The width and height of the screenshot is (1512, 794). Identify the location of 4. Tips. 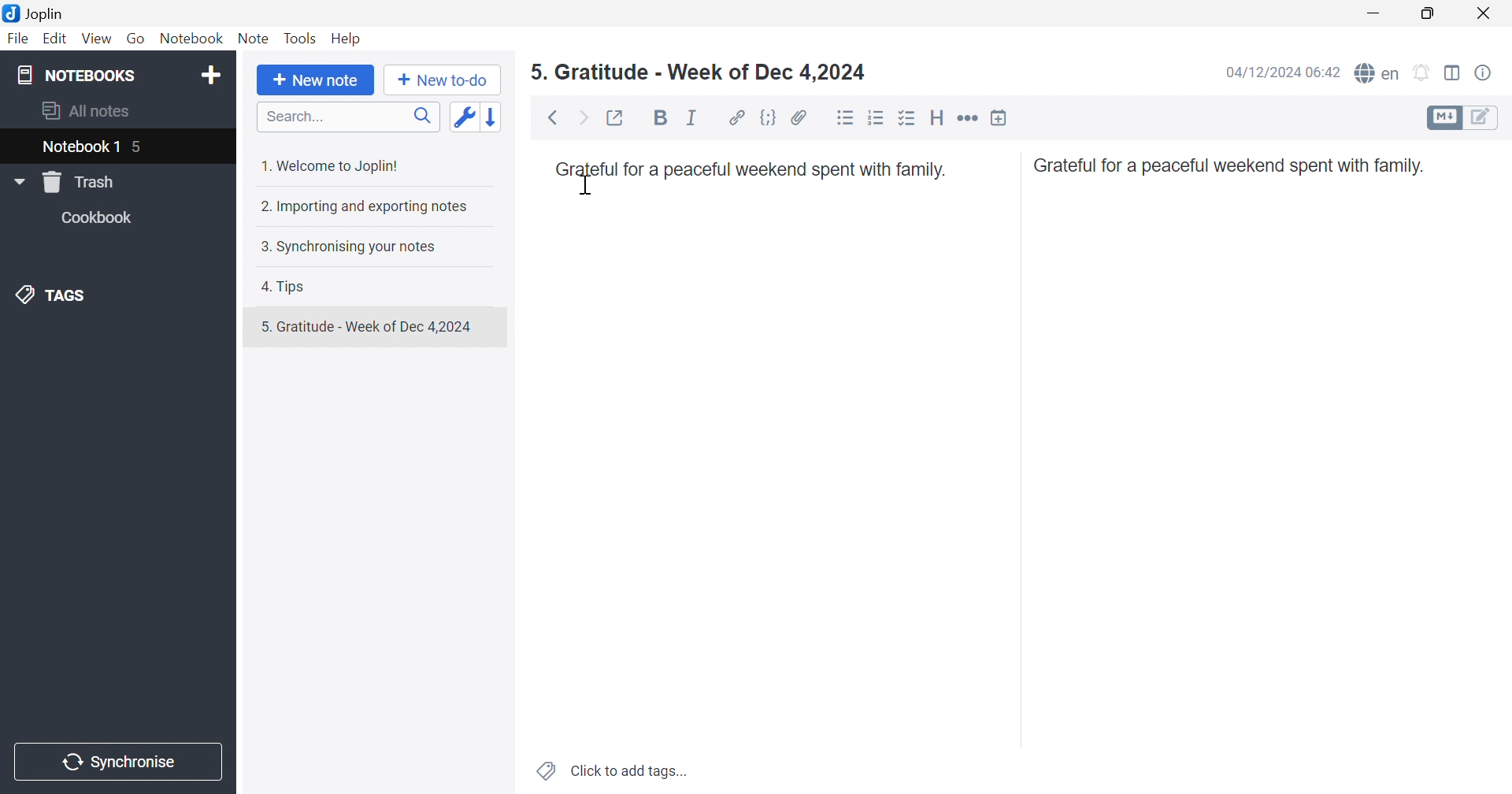
(286, 287).